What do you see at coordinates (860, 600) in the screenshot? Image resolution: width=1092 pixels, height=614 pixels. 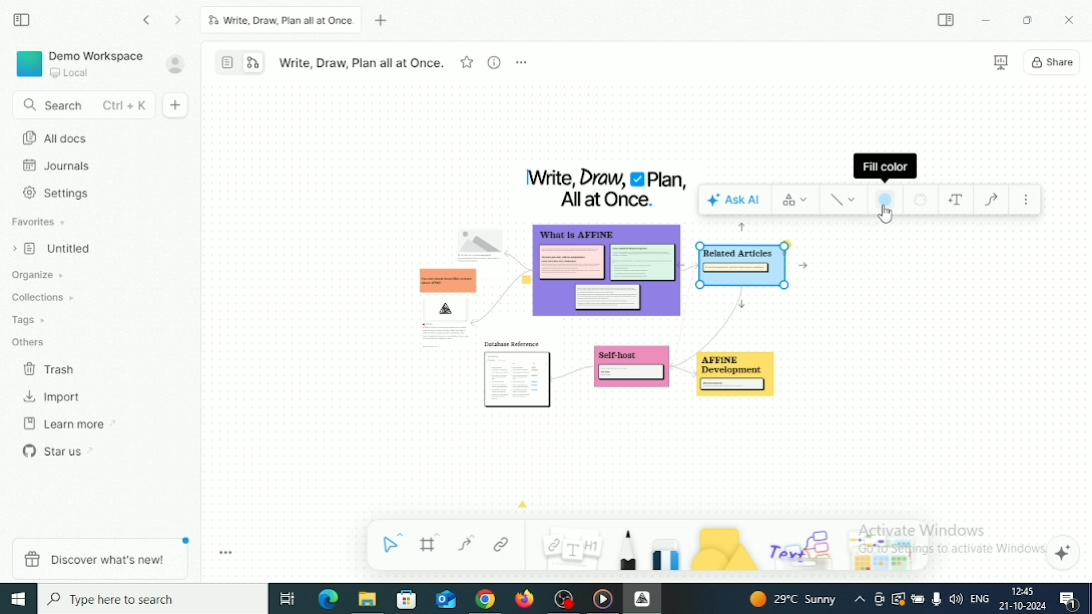 I see `Show hidden icons` at bounding box center [860, 600].